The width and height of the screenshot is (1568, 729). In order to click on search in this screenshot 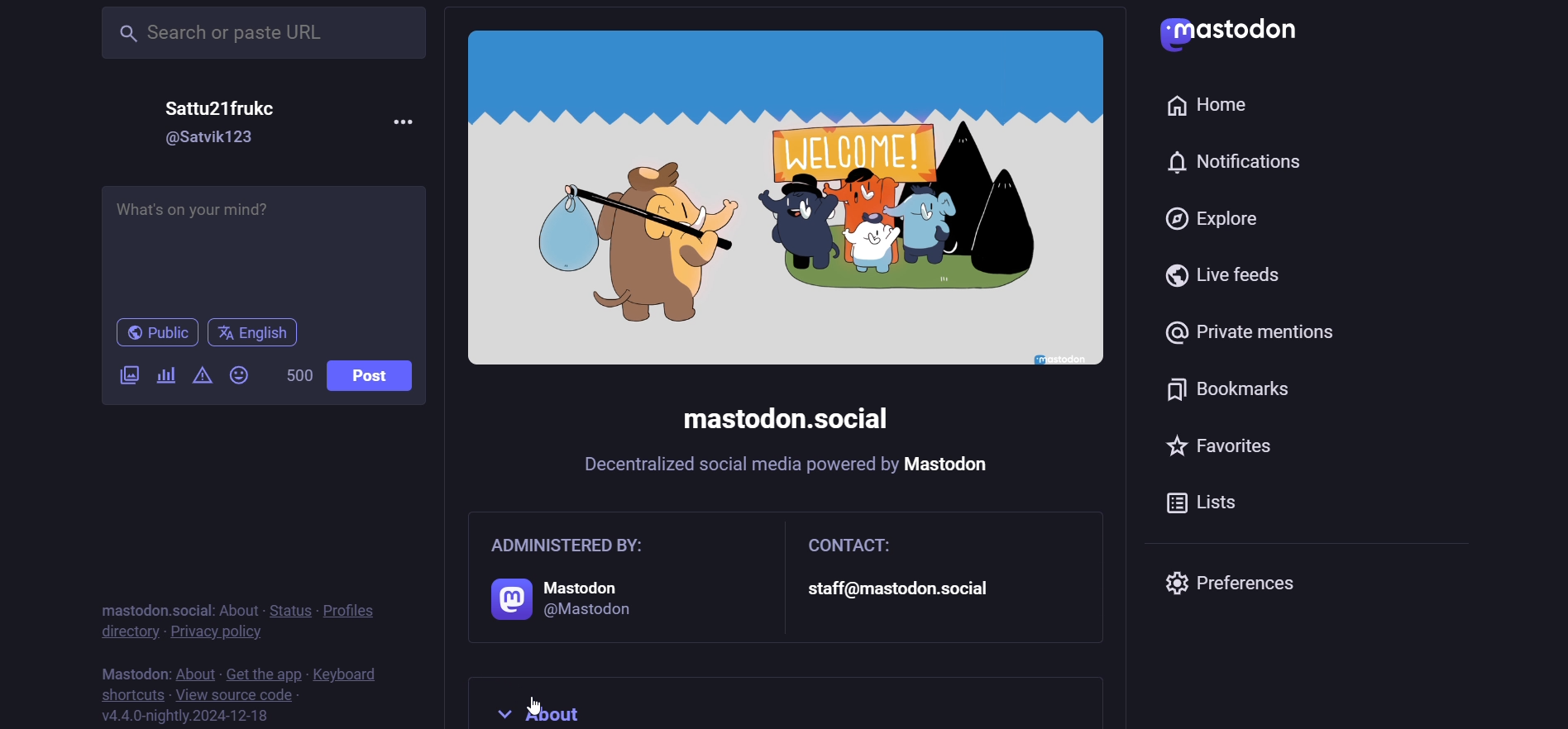, I will do `click(265, 31)`.